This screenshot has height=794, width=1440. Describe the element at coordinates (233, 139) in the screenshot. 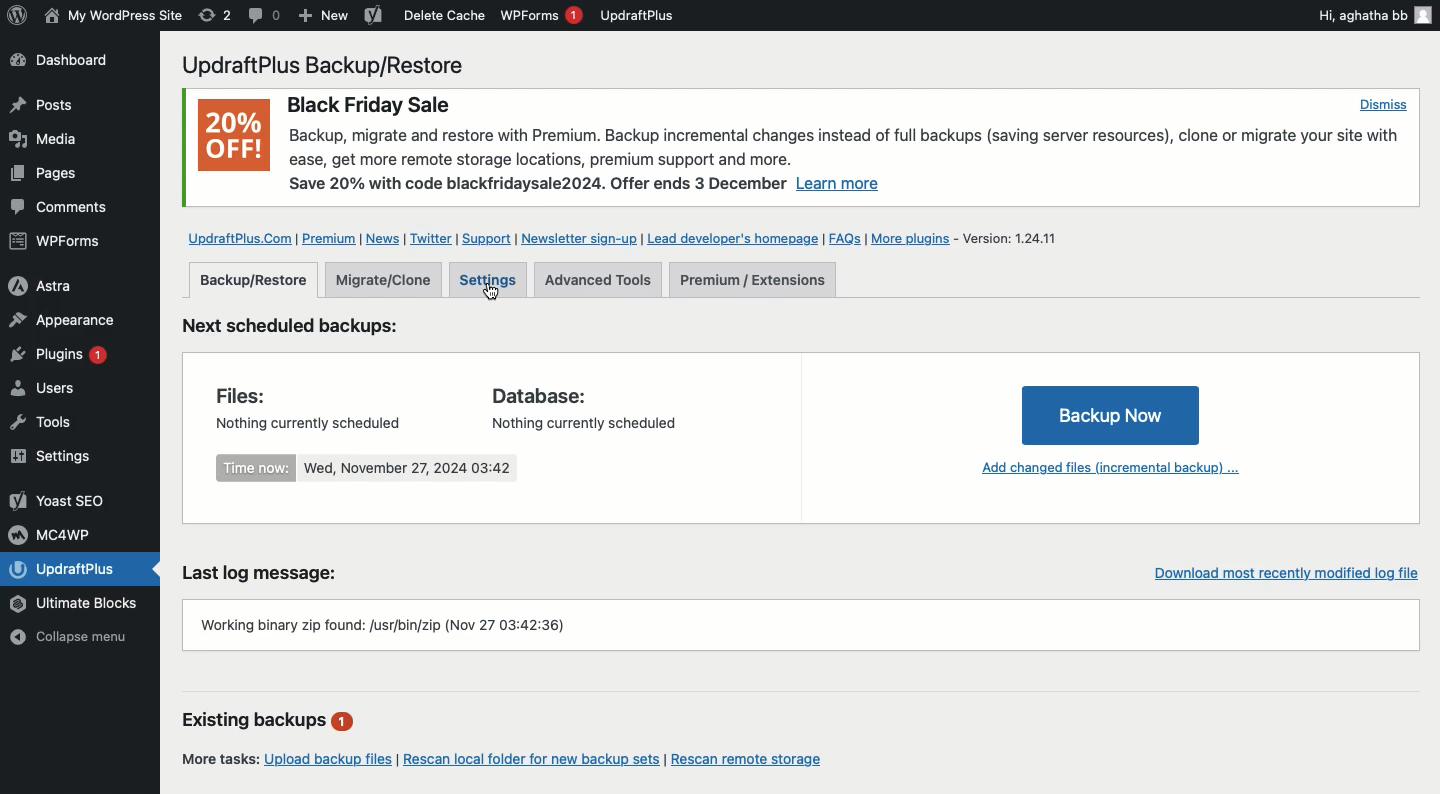

I see `20% OFF` at that location.